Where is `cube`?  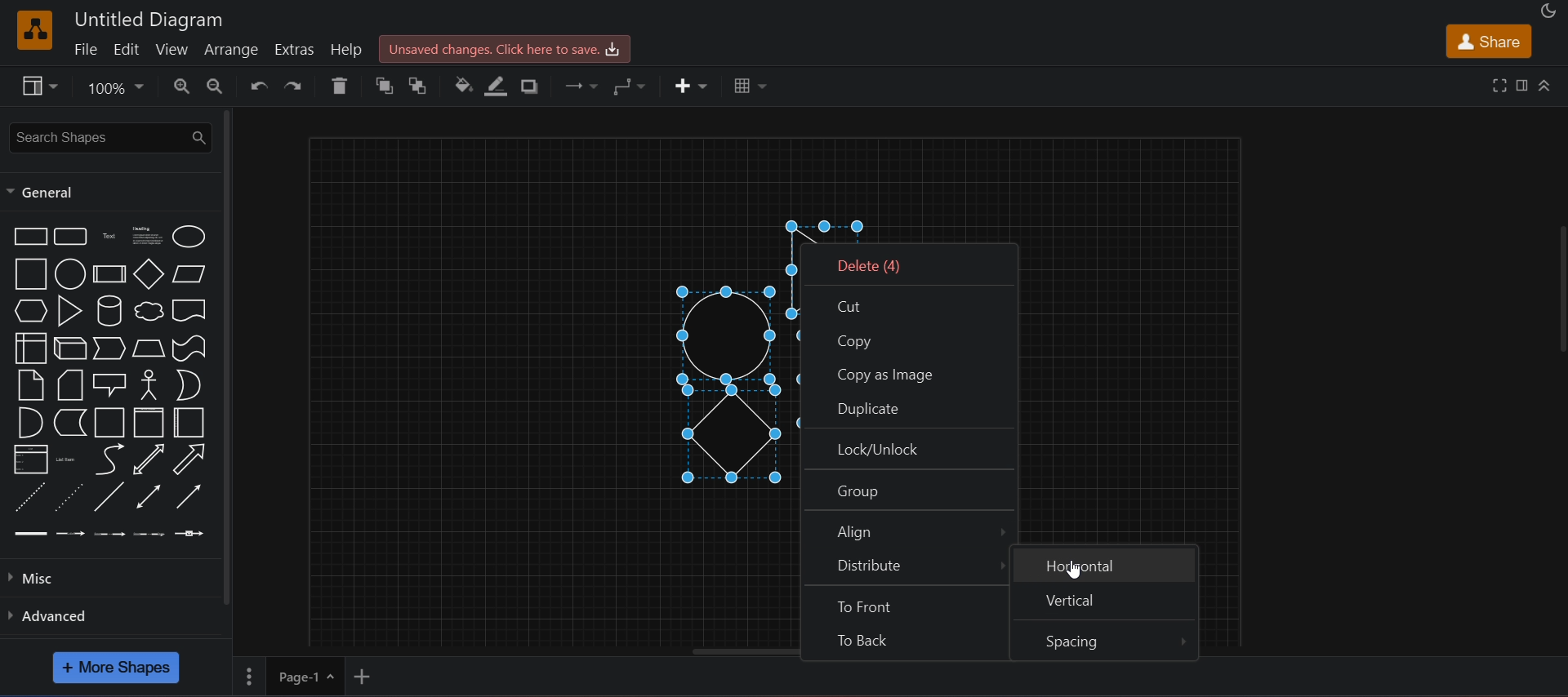 cube is located at coordinates (68, 348).